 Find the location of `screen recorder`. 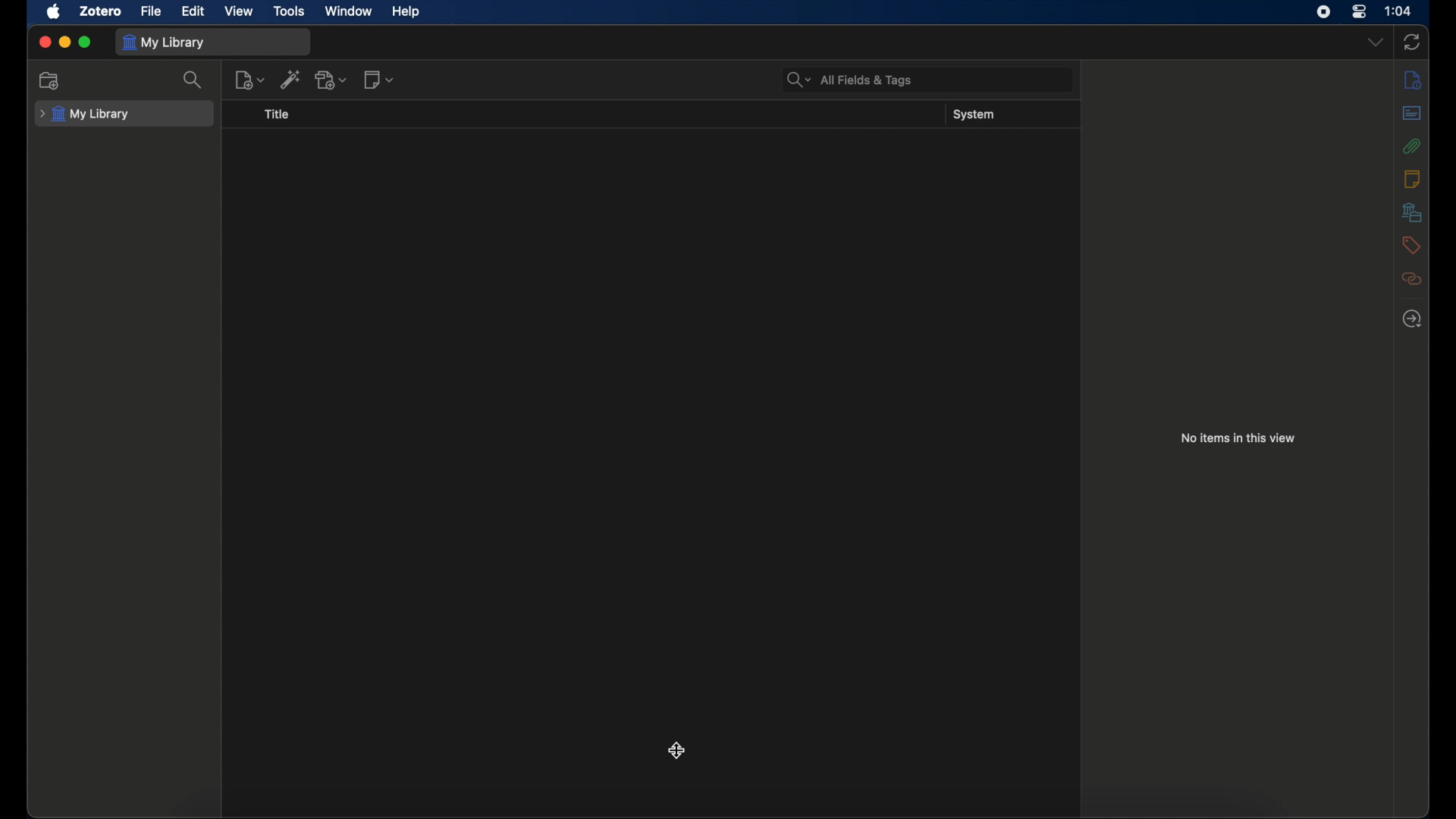

screen recorder is located at coordinates (1323, 12).